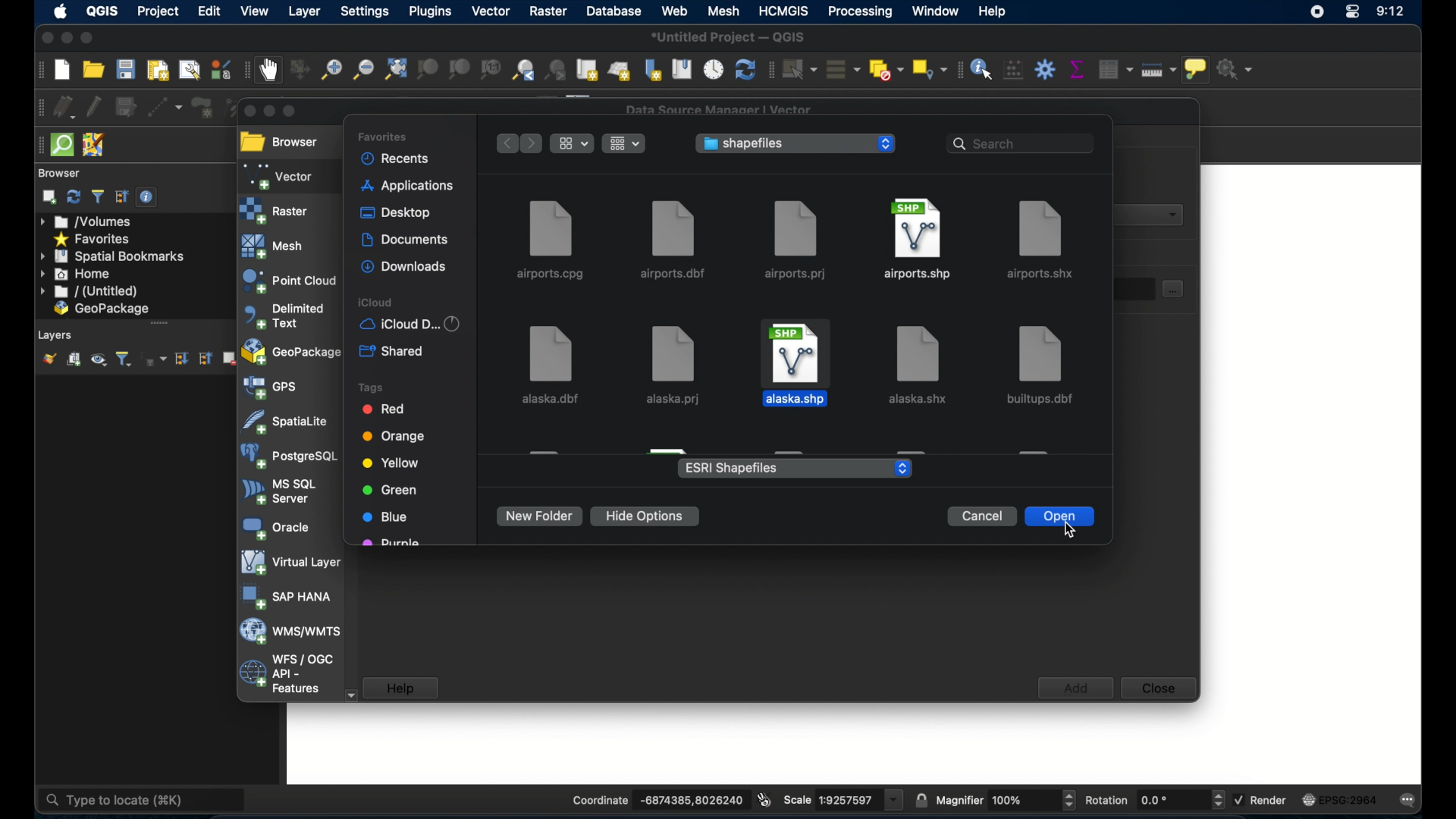 Image resolution: width=1456 pixels, height=819 pixels. Describe the element at coordinates (545, 12) in the screenshot. I see `raster` at that location.